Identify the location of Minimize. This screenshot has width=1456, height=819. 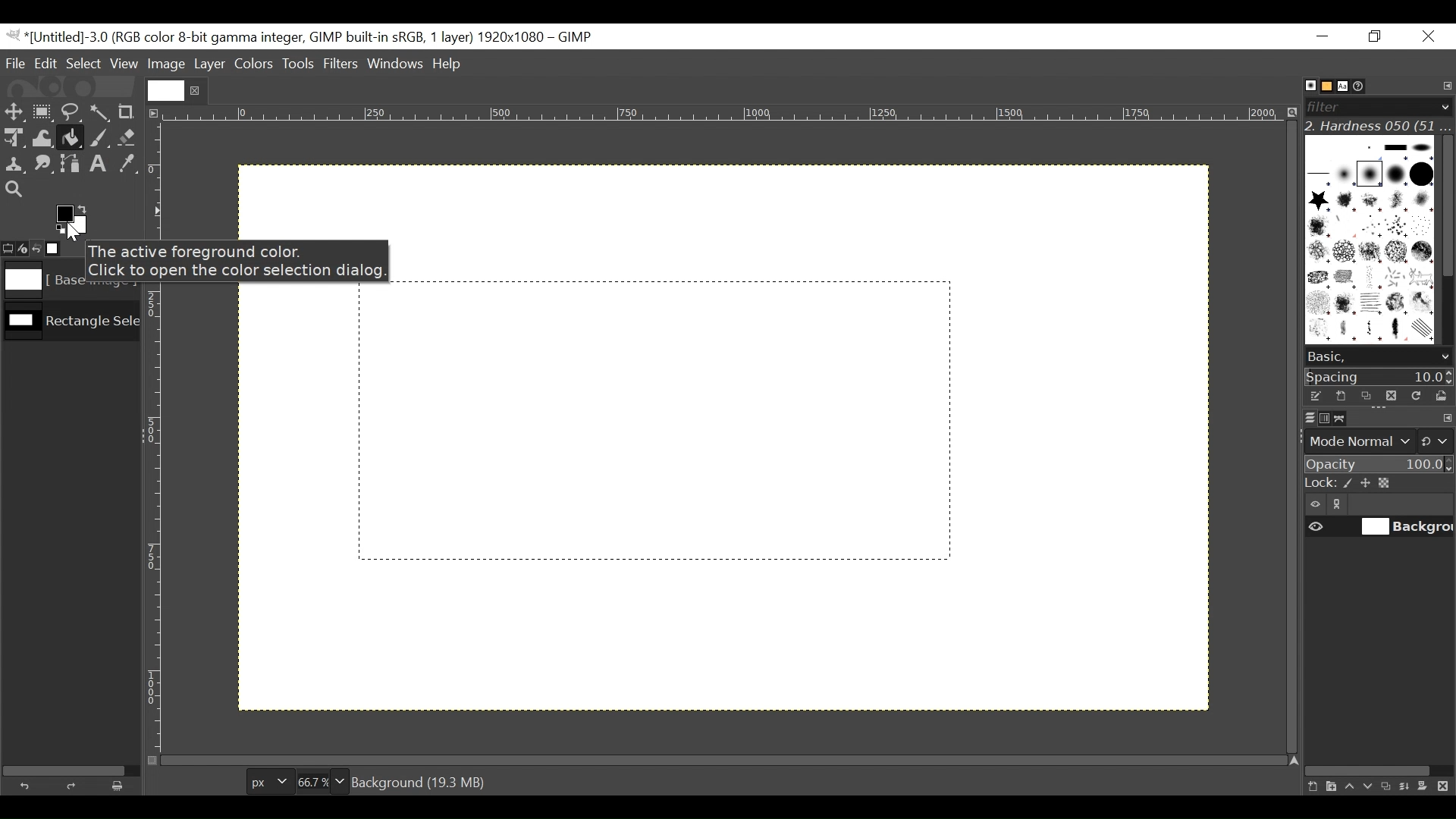
(1323, 36).